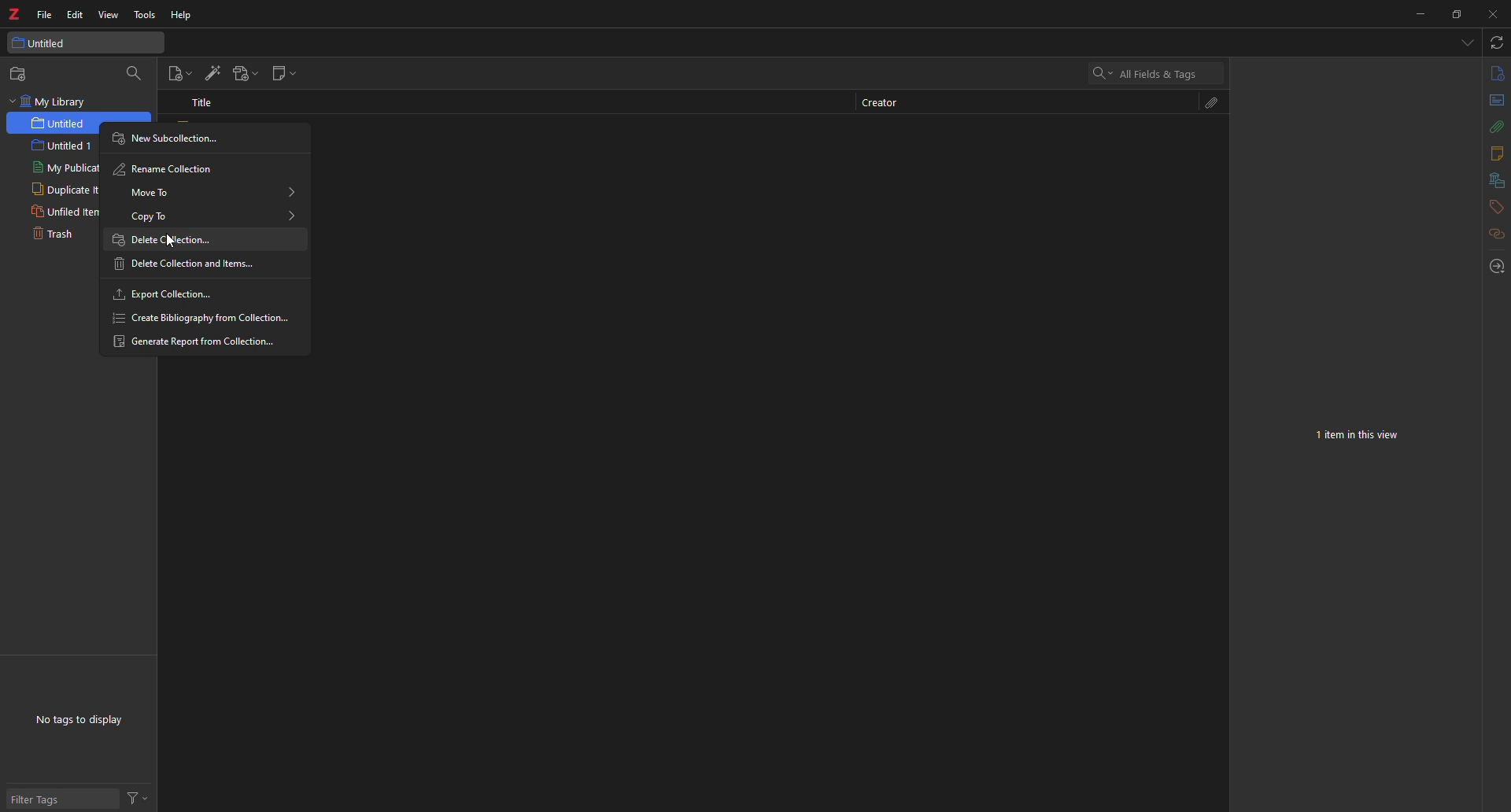  I want to click on rename collection, so click(166, 168).